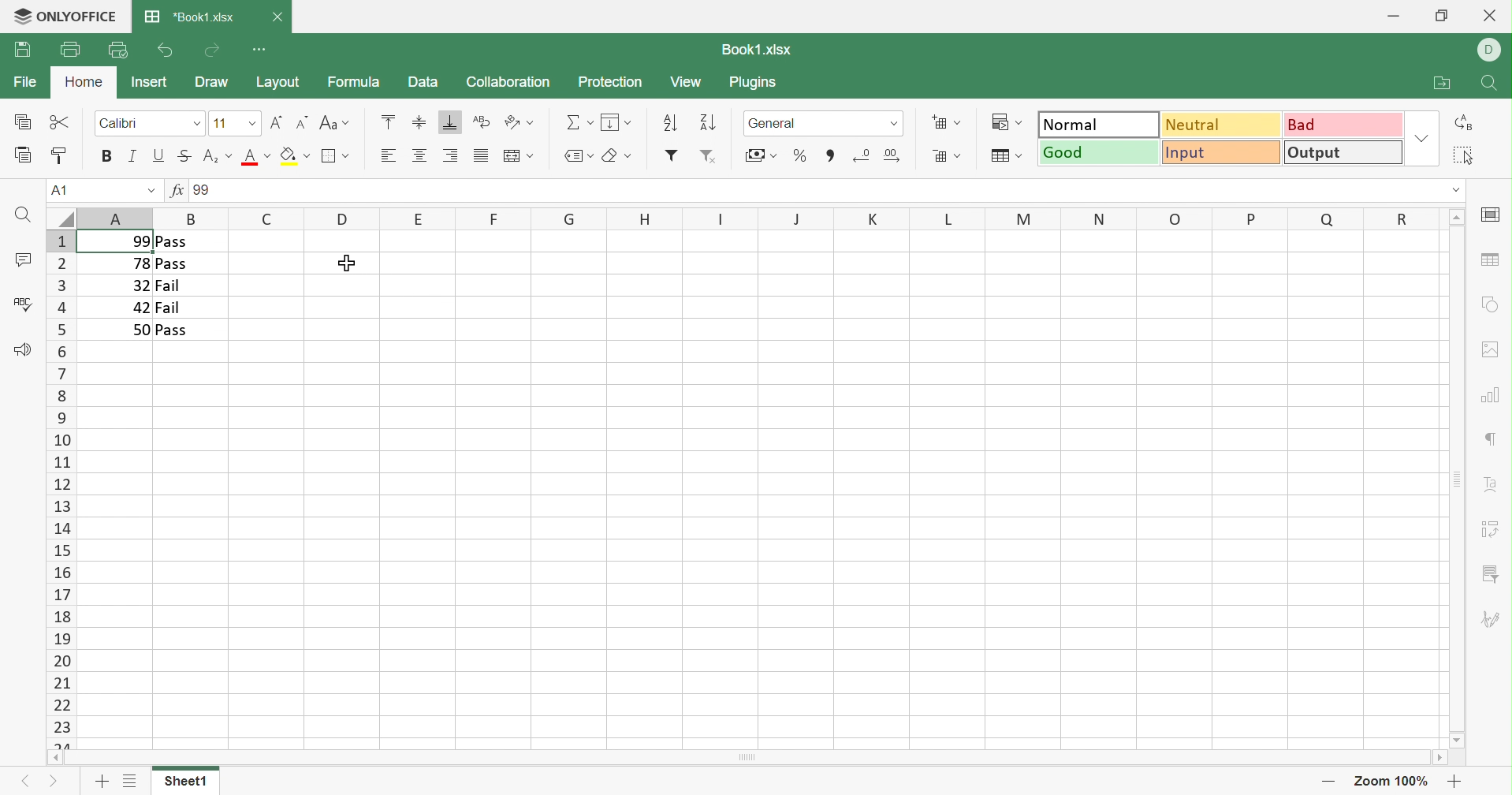 Image resolution: width=1512 pixels, height=795 pixels. I want to click on Image settings, so click(1493, 348).